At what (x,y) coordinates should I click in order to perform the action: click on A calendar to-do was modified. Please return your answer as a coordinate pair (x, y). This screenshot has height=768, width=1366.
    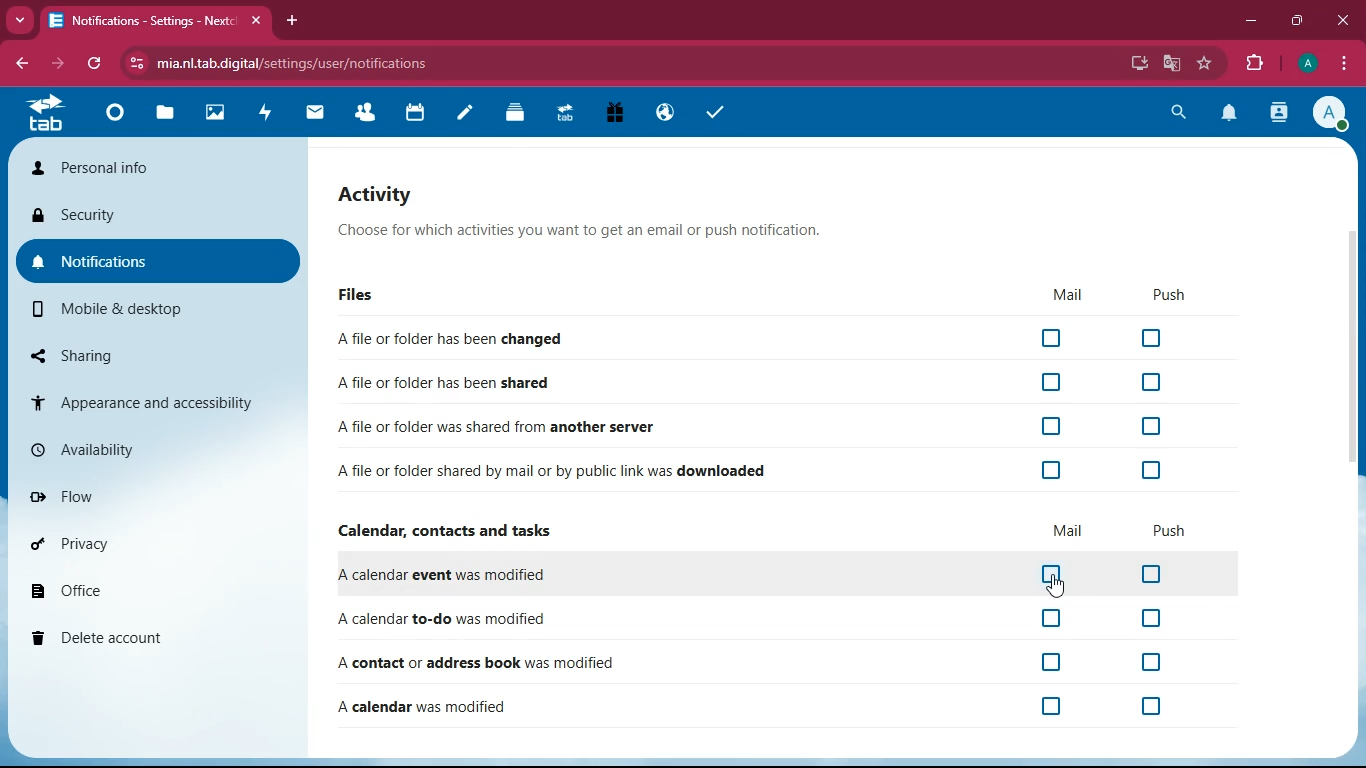
    Looking at the image, I should click on (774, 615).